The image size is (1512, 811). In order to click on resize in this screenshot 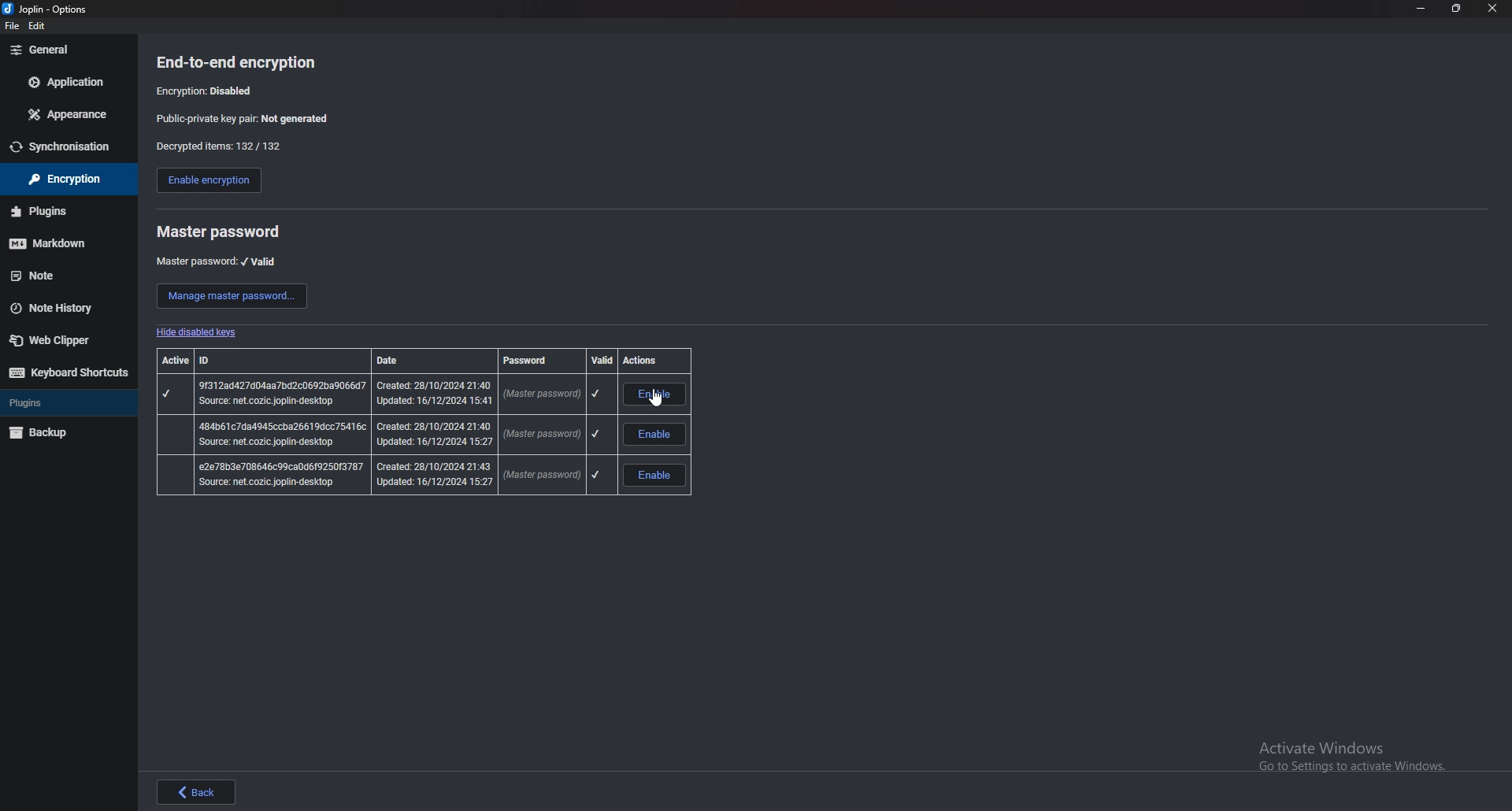, I will do `click(1456, 9)`.